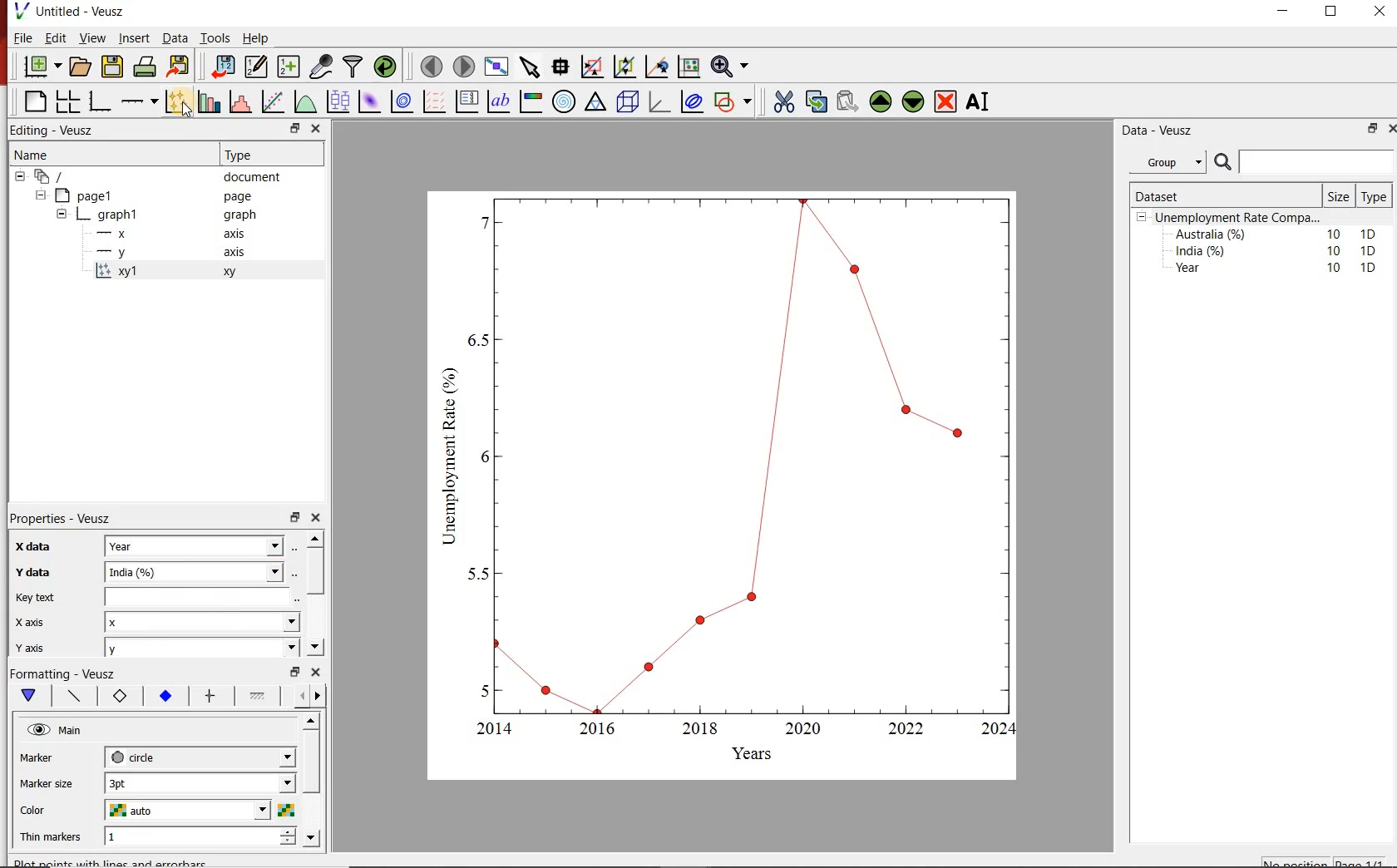 Image resolution: width=1397 pixels, height=868 pixels. What do you see at coordinates (31, 622) in the screenshot?
I see `x axis` at bounding box center [31, 622].